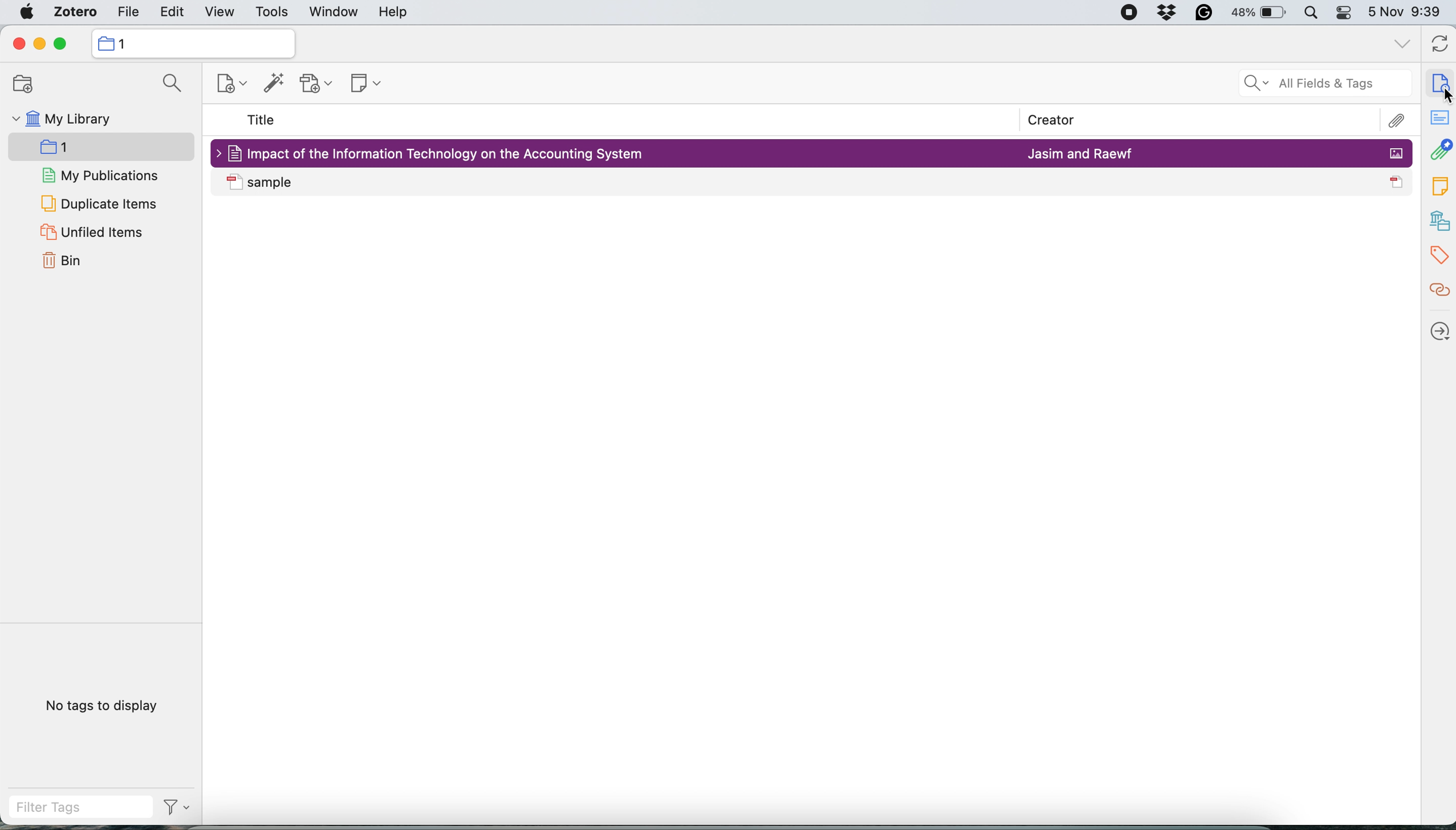 This screenshot has width=1456, height=830. Describe the element at coordinates (74, 119) in the screenshot. I see `my library` at that location.